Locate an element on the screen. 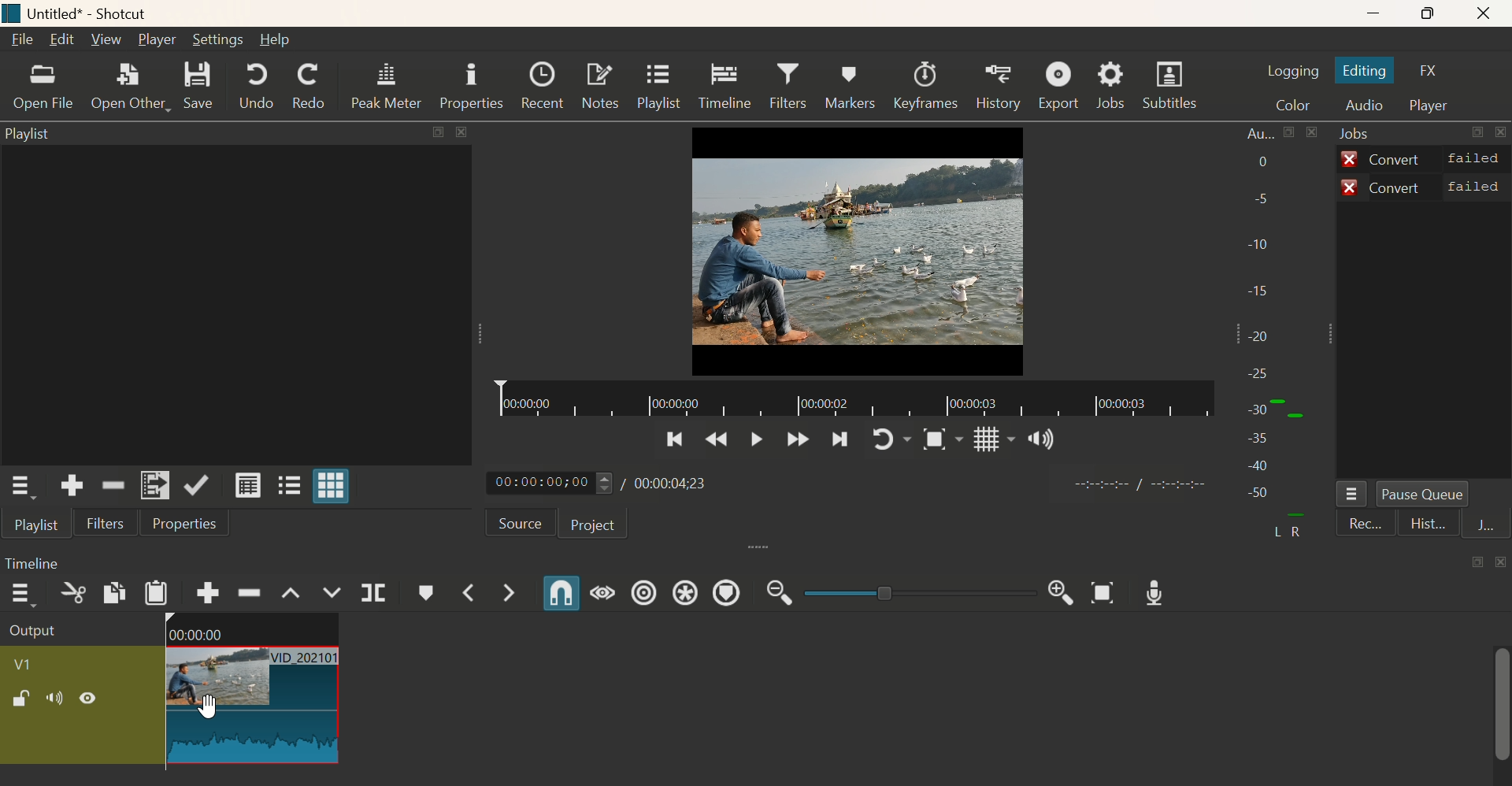 This screenshot has height=786, width=1512. Editing is located at coordinates (1370, 72).